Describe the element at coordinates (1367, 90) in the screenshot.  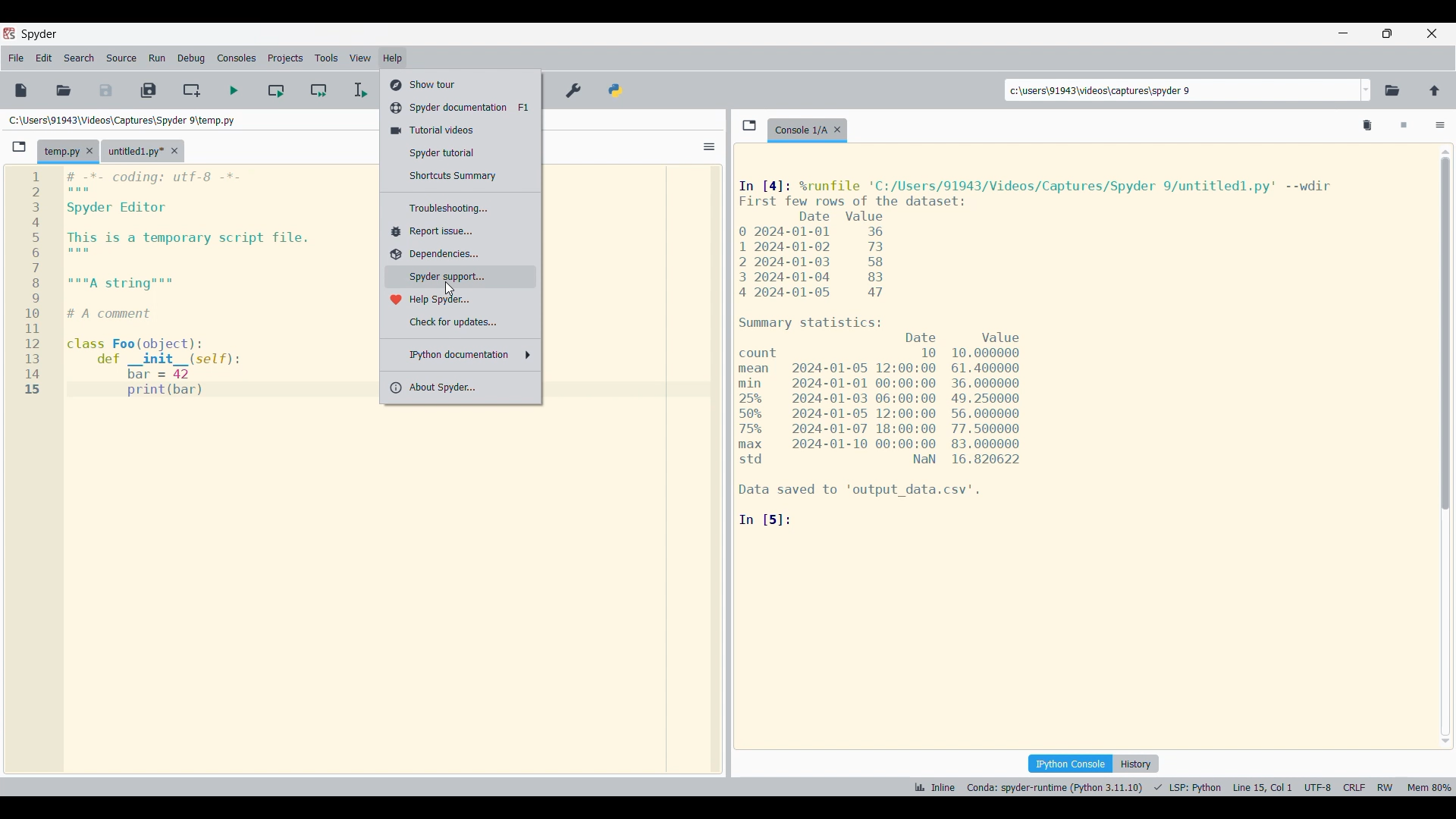
I see `Folder location options` at that location.